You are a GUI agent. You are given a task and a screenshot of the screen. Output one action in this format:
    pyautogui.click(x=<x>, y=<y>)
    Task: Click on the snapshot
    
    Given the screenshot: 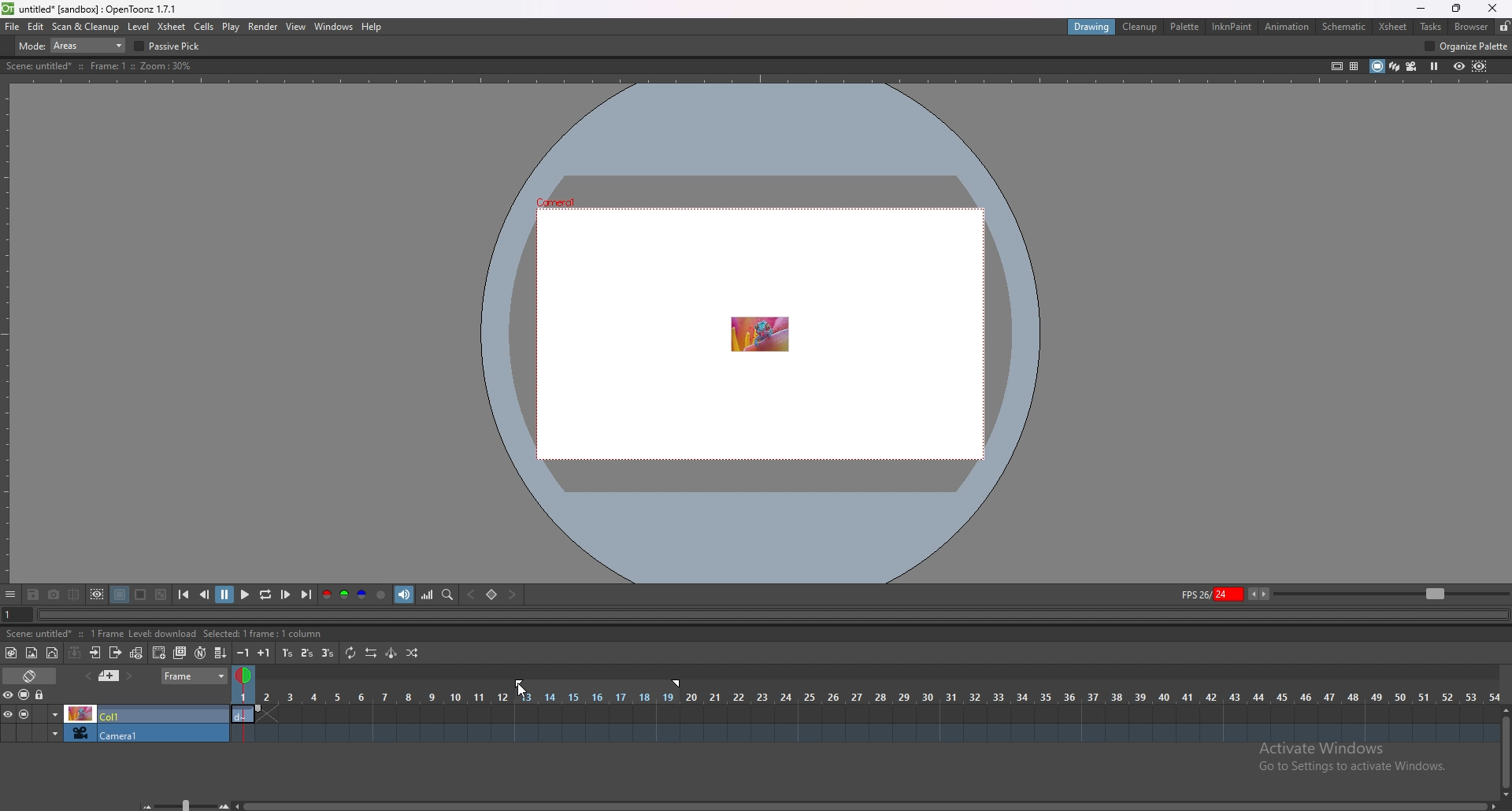 What is the action you would take?
    pyautogui.click(x=54, y=595)
    